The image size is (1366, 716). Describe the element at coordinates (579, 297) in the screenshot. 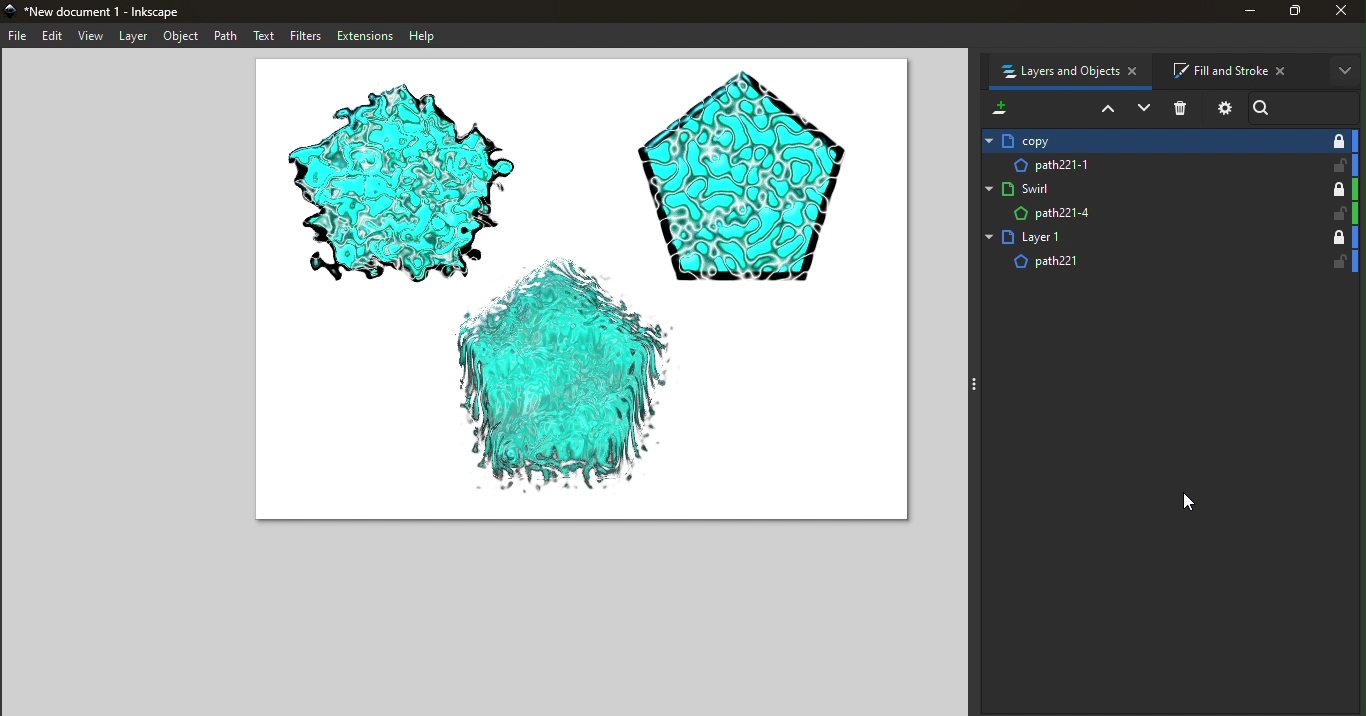

I see `Canvas showing different shapes` at that location.